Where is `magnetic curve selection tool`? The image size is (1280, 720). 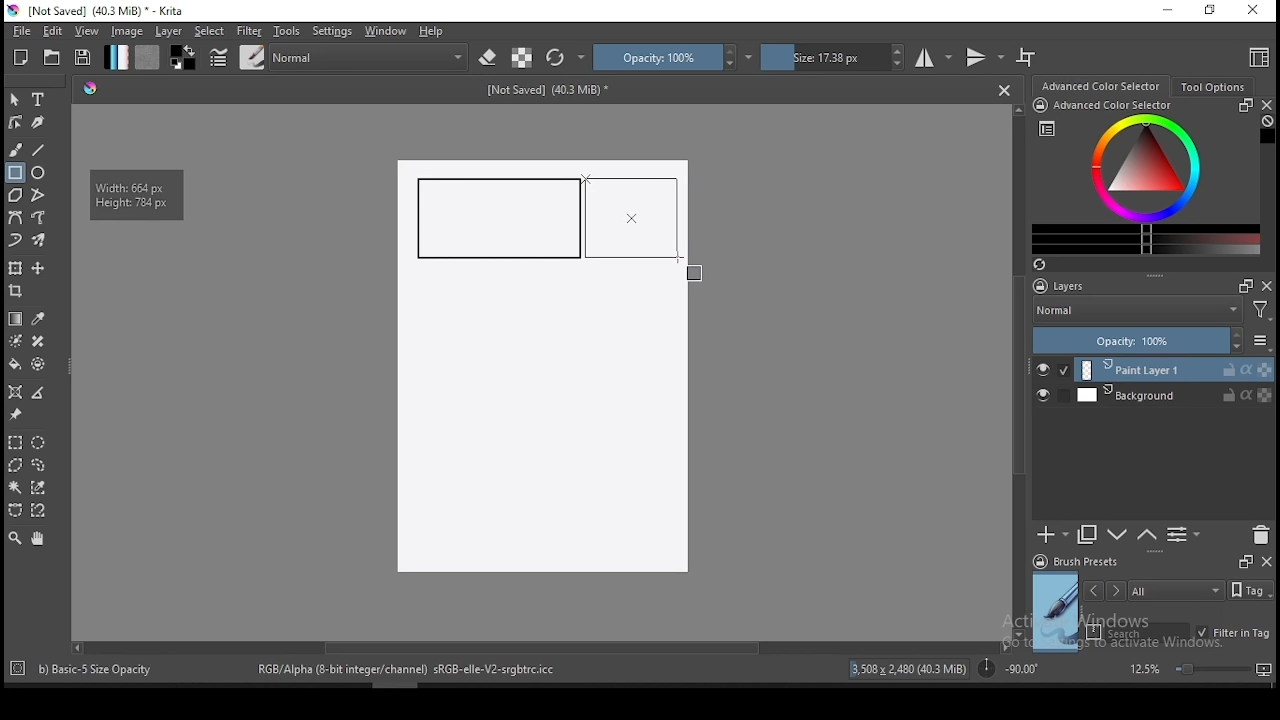
magnetic curve selection tool is located at coordinates (36, 510).